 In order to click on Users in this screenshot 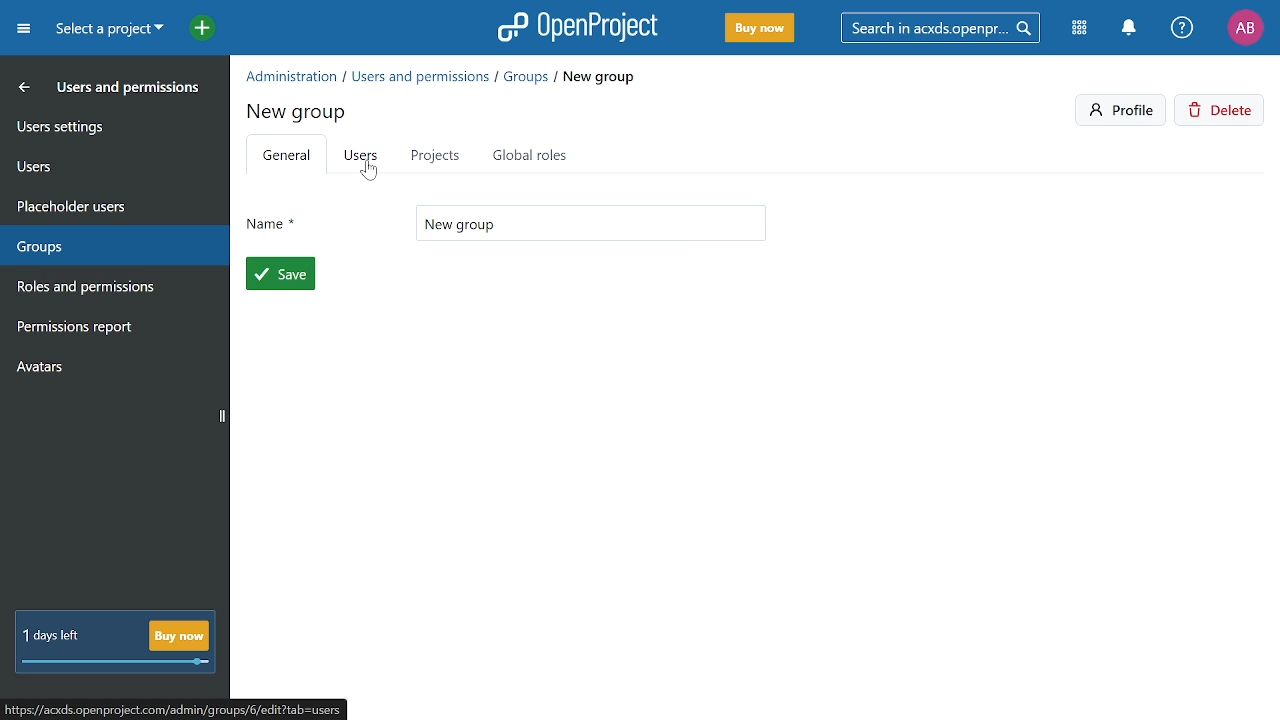, I will do `click(112, 163)`.